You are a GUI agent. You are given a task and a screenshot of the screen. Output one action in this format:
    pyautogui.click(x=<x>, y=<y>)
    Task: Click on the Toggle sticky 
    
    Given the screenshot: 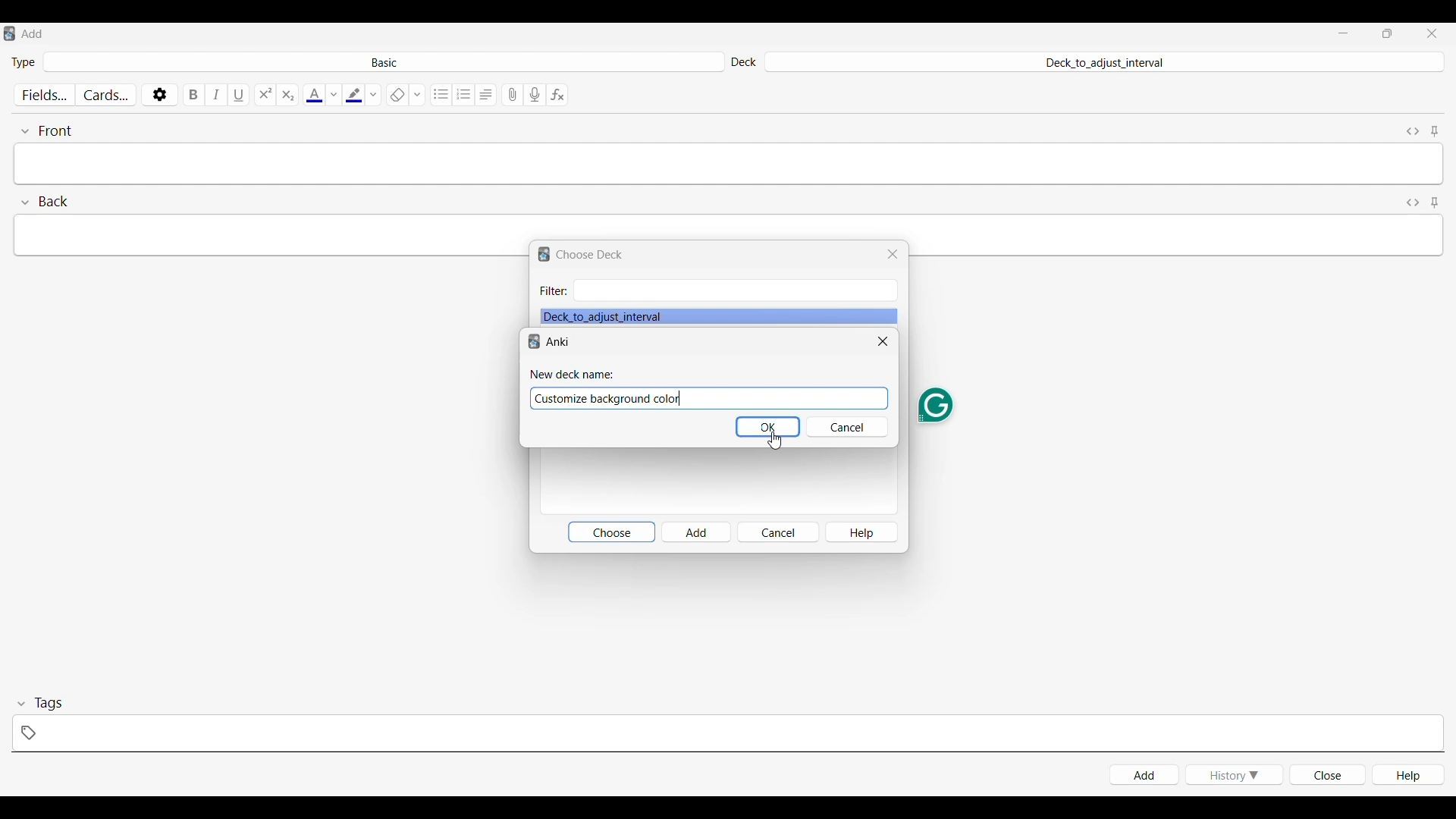 What is the action you would take?
    pyautogui.click(x=1434, y=132)
    